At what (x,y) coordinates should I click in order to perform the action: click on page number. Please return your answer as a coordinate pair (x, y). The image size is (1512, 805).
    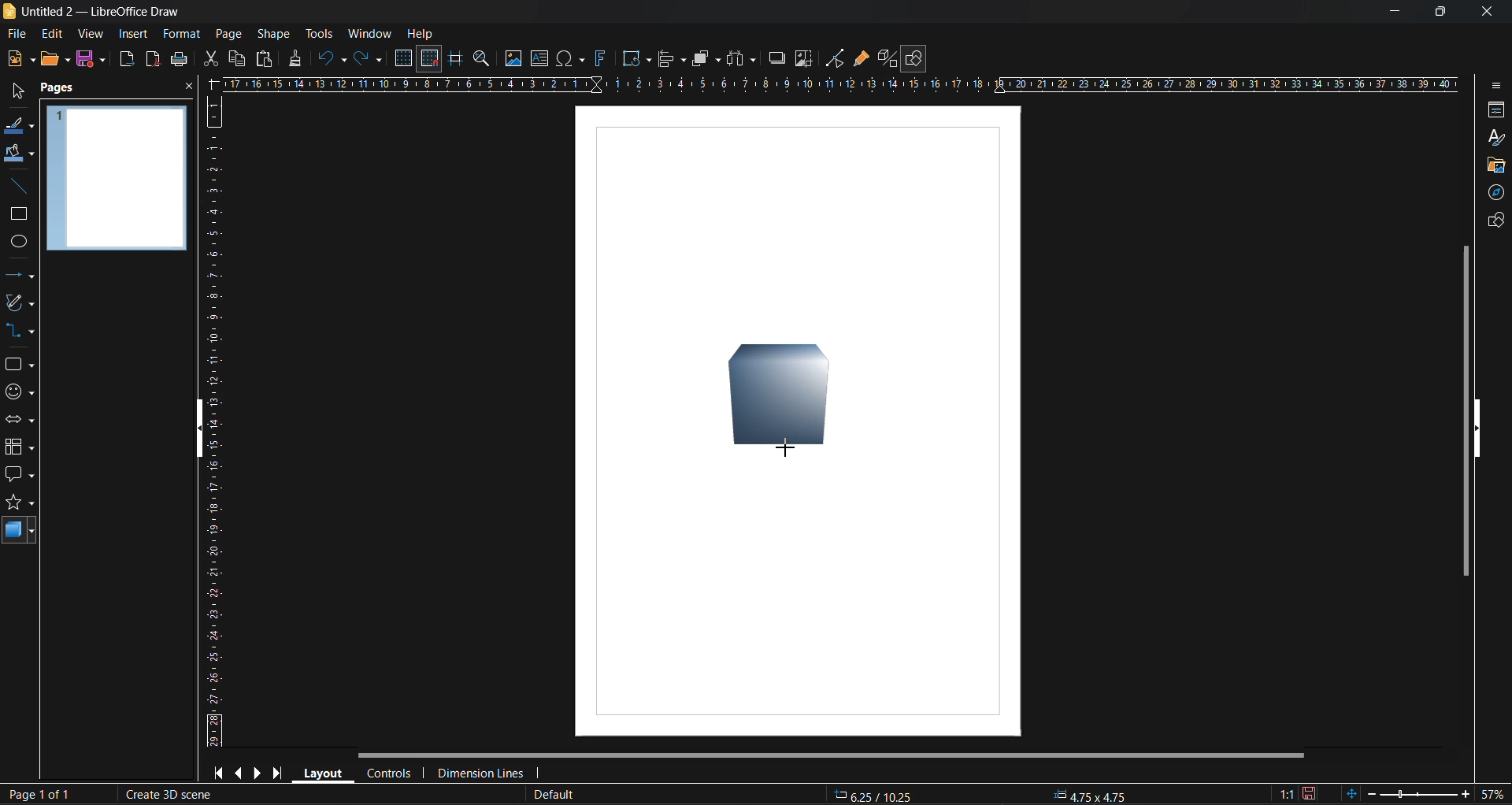
    Looking at the image, I should click on (39, 796).